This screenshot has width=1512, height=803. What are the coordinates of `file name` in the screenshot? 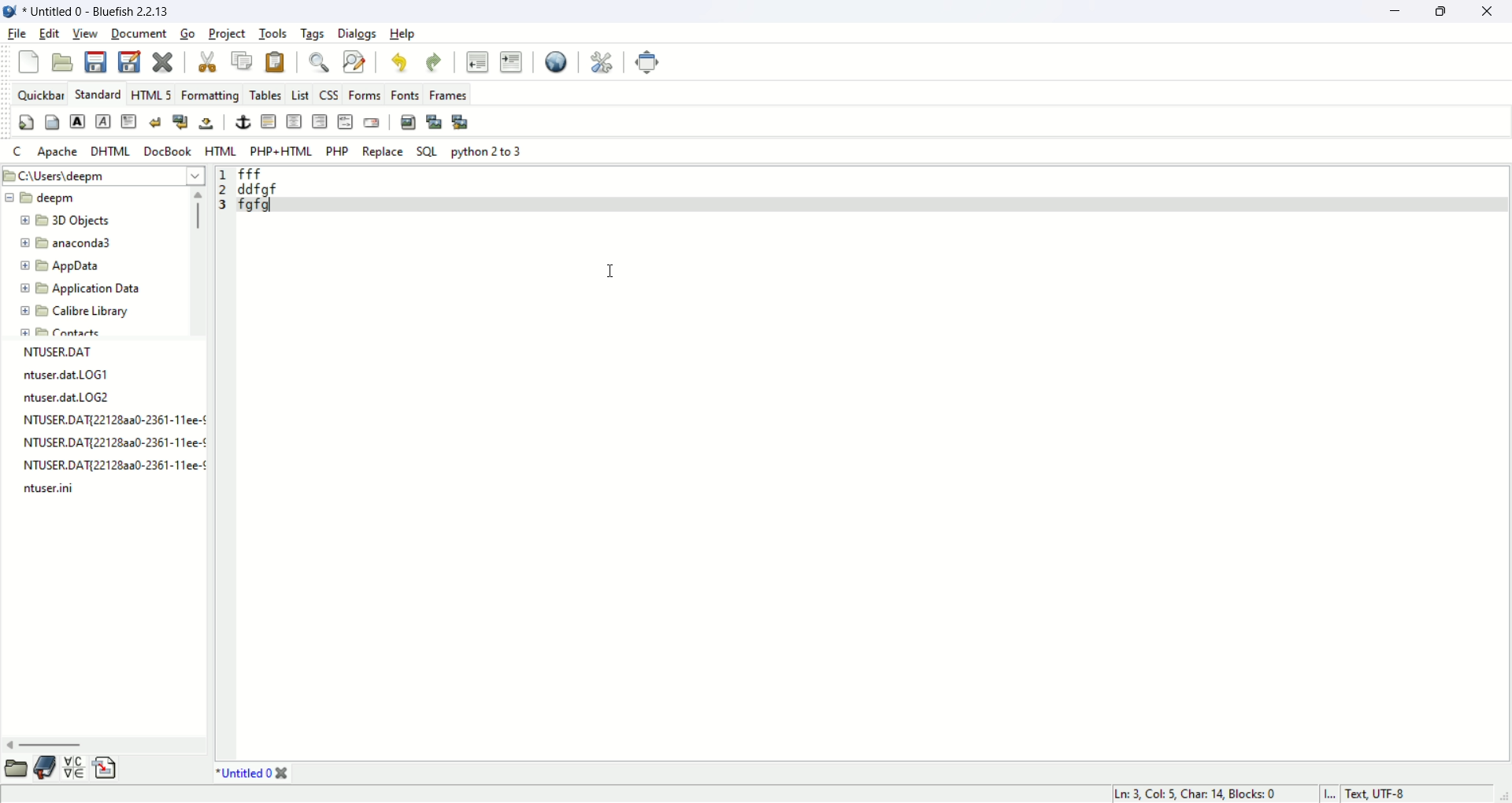 It's located at (77, 376).